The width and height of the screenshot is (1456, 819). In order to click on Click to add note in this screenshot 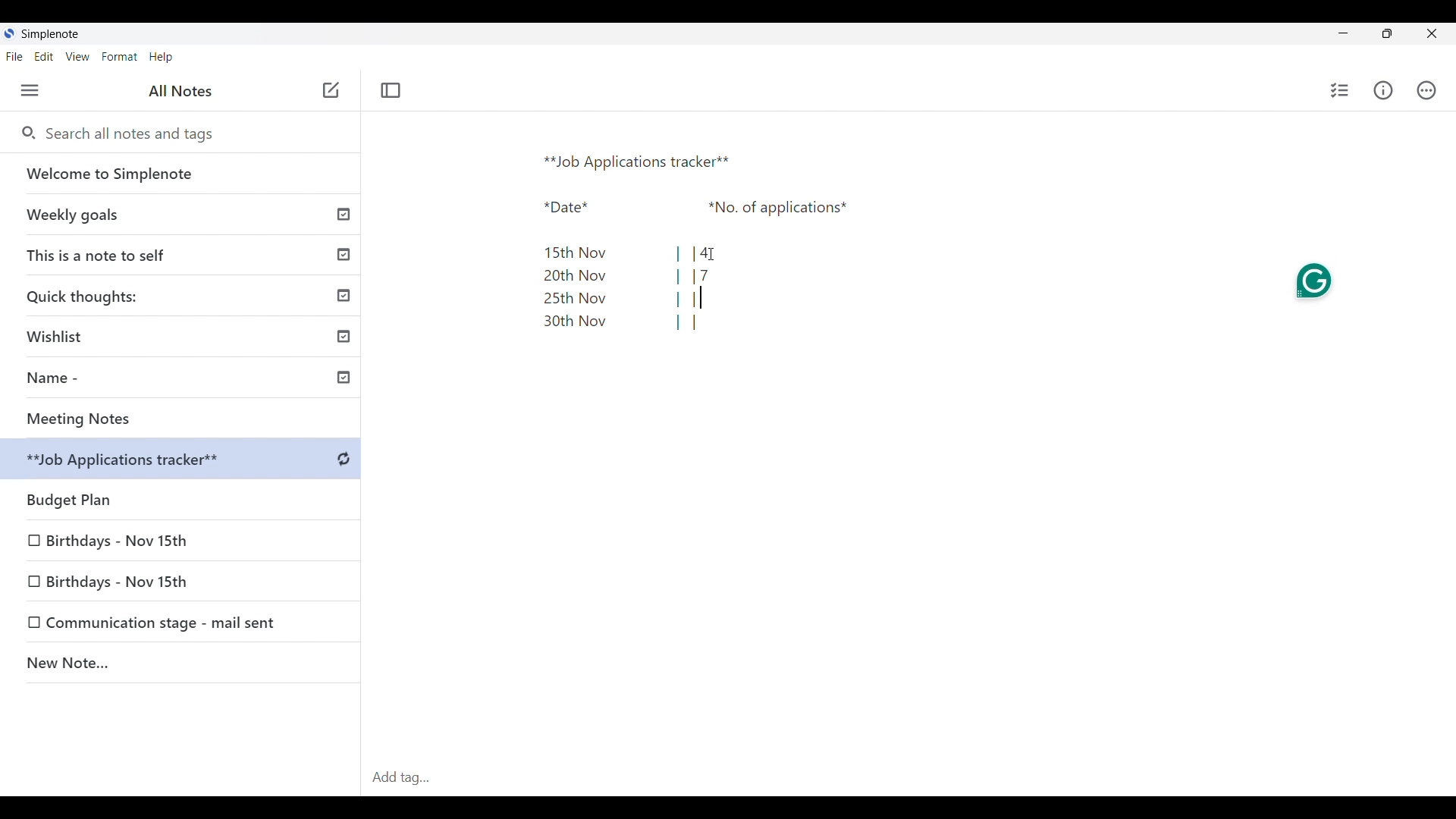, I will do `click(332, 89)`.